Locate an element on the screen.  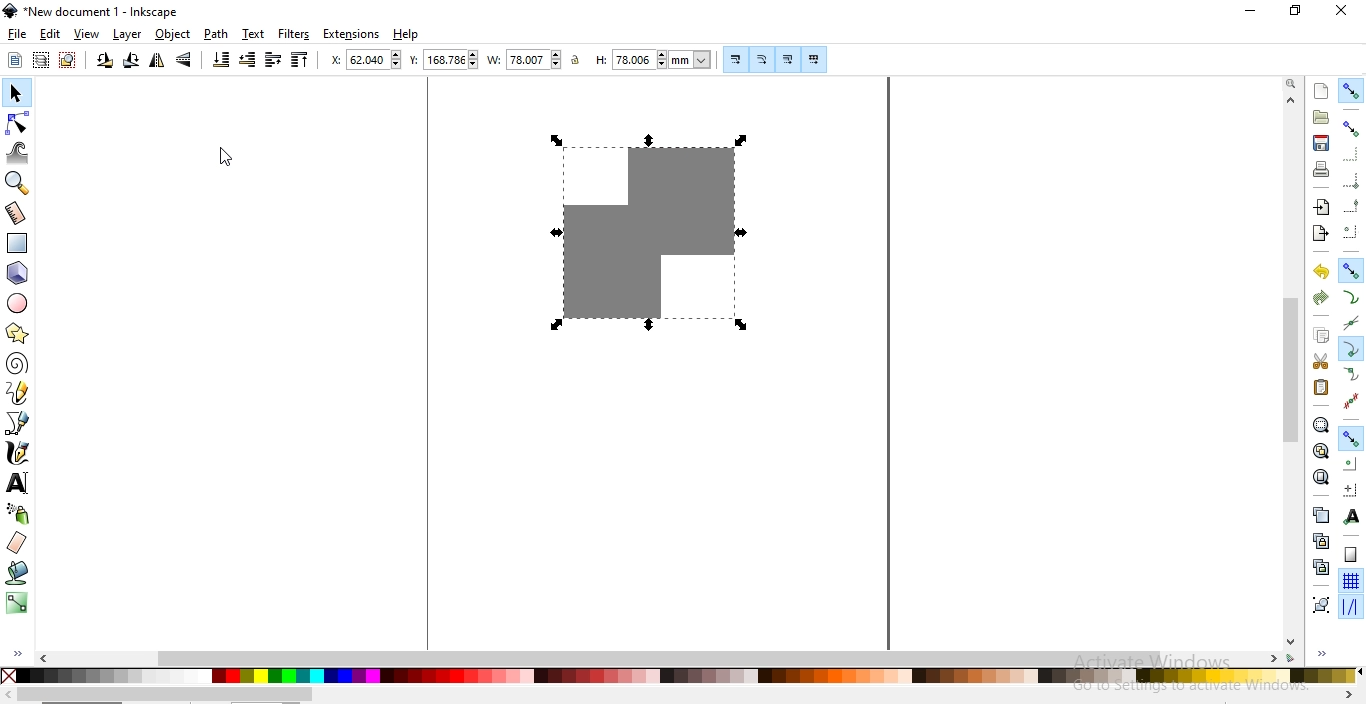
scale stroke width by same proportion is located at coordinates (733, 59).